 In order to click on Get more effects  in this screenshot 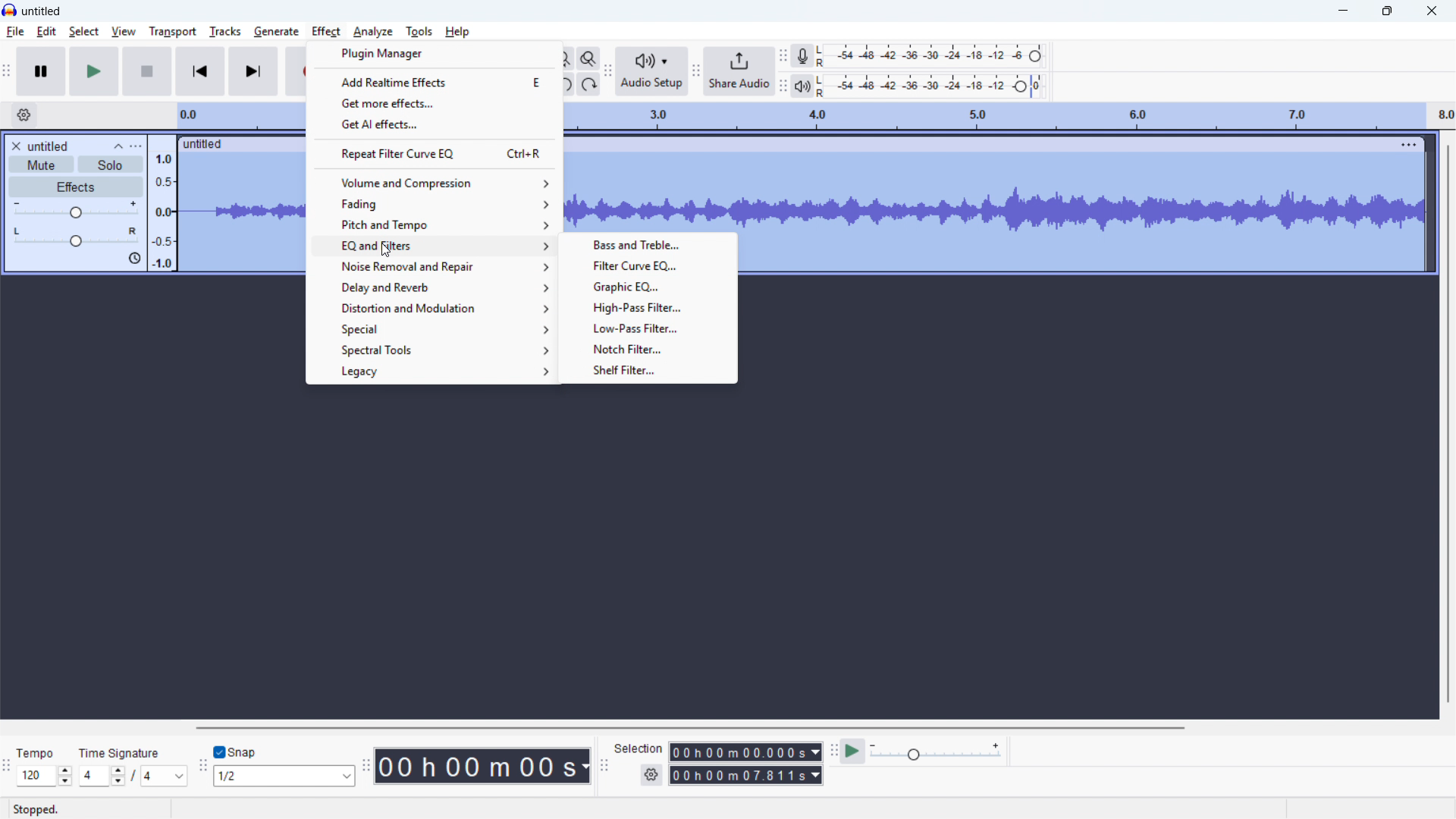, I will do `click(435, 102)`.